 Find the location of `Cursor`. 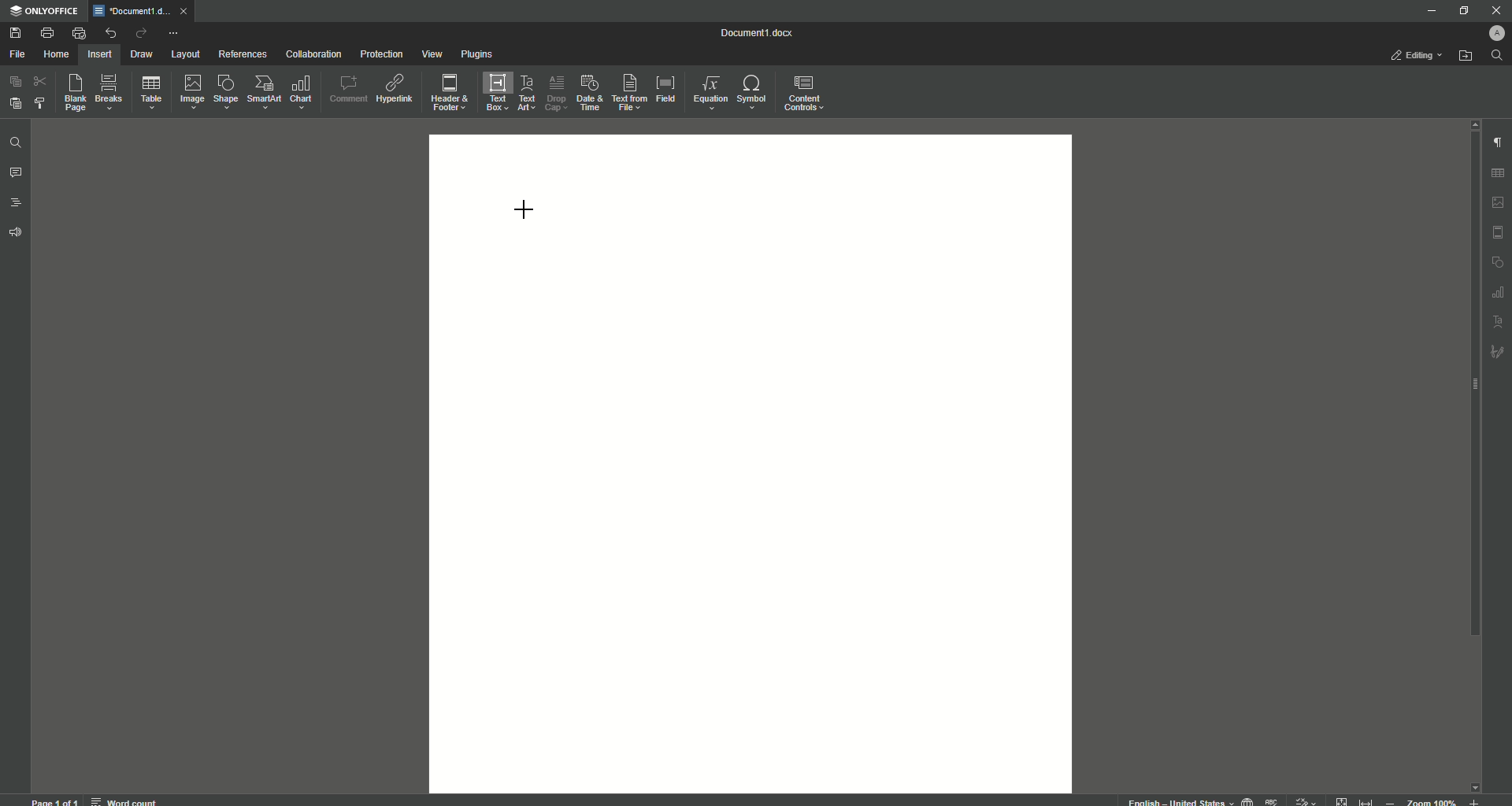

Cursor is located at coordinates (524, 207).